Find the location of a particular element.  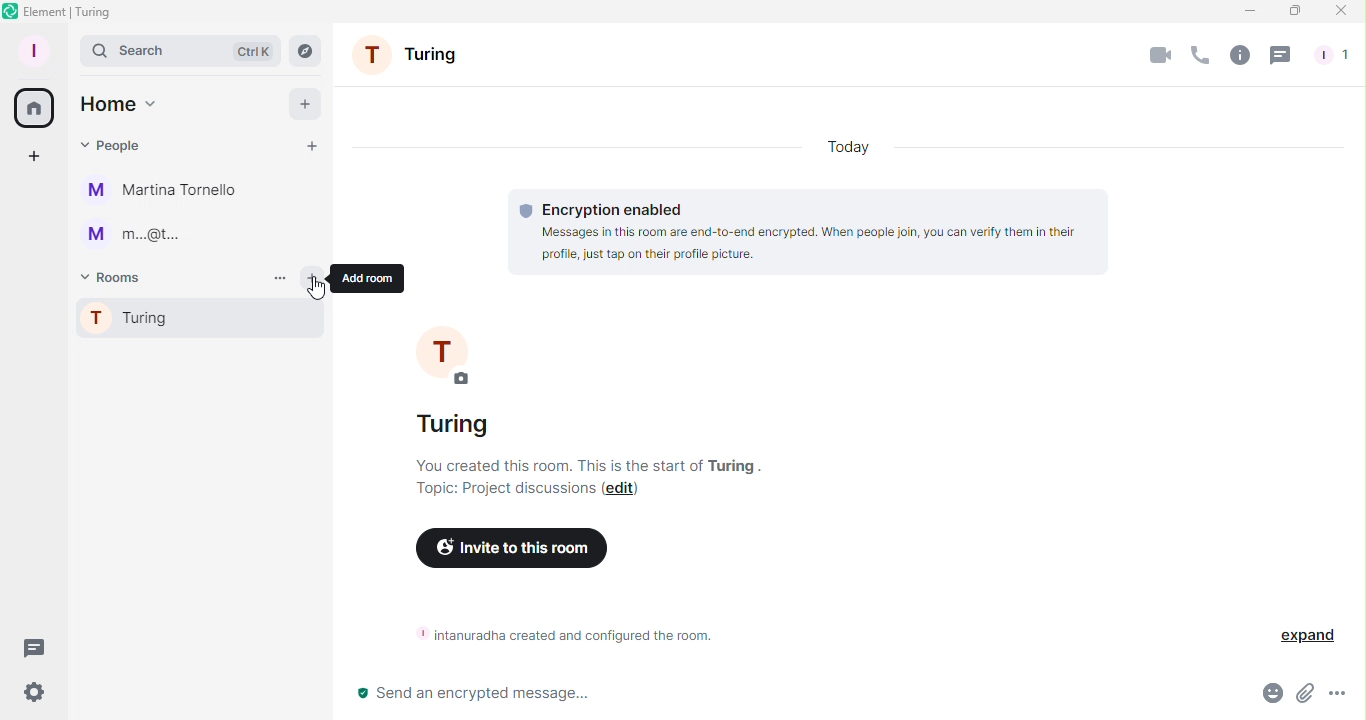

People is located at coordinates (114, 142).